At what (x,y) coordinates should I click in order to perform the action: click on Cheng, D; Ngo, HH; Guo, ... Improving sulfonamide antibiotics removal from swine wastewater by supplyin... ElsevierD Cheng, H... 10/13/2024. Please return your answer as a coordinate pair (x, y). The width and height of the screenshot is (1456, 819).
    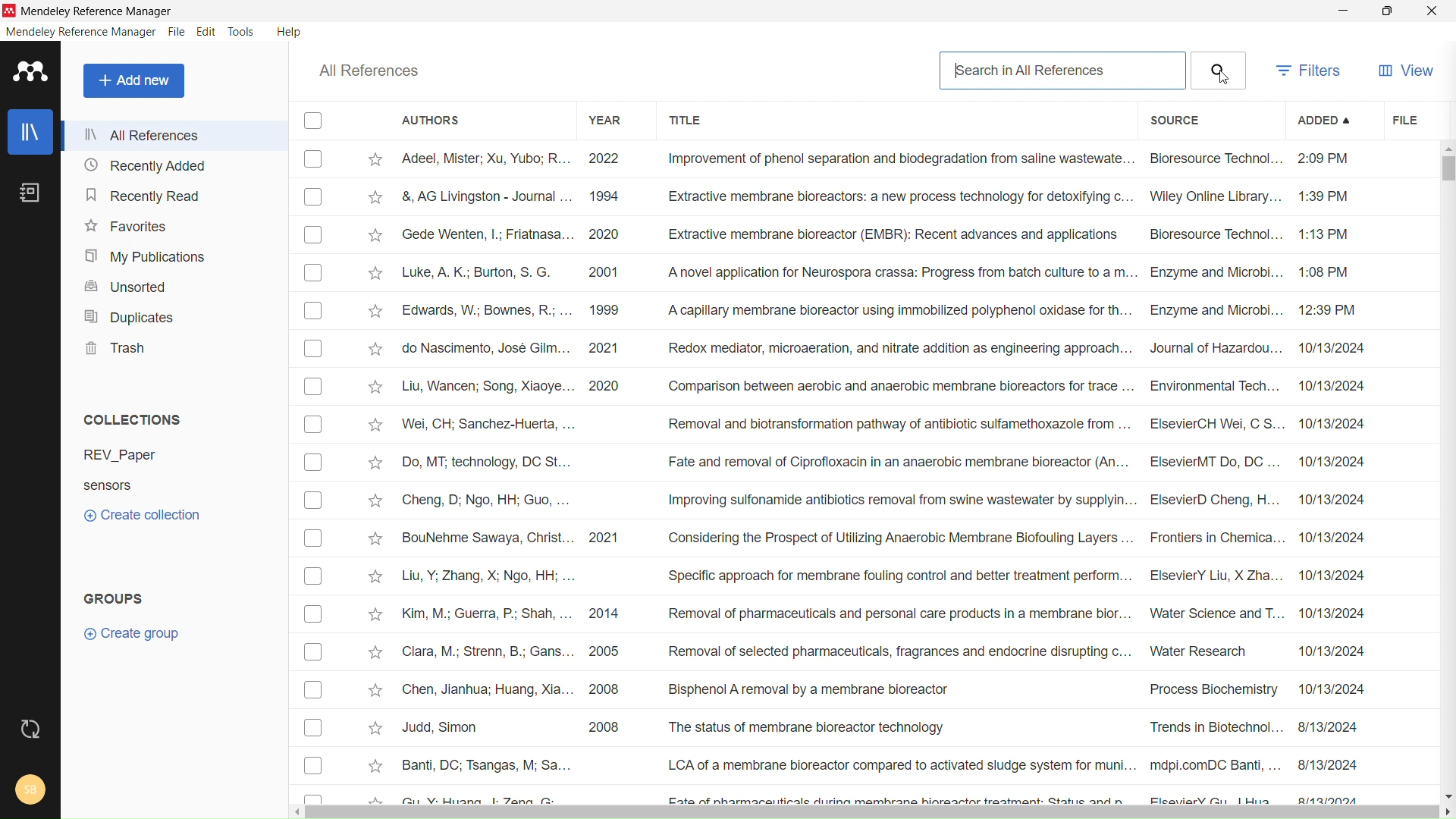
    Looking at the image, I should click on (884, 497).